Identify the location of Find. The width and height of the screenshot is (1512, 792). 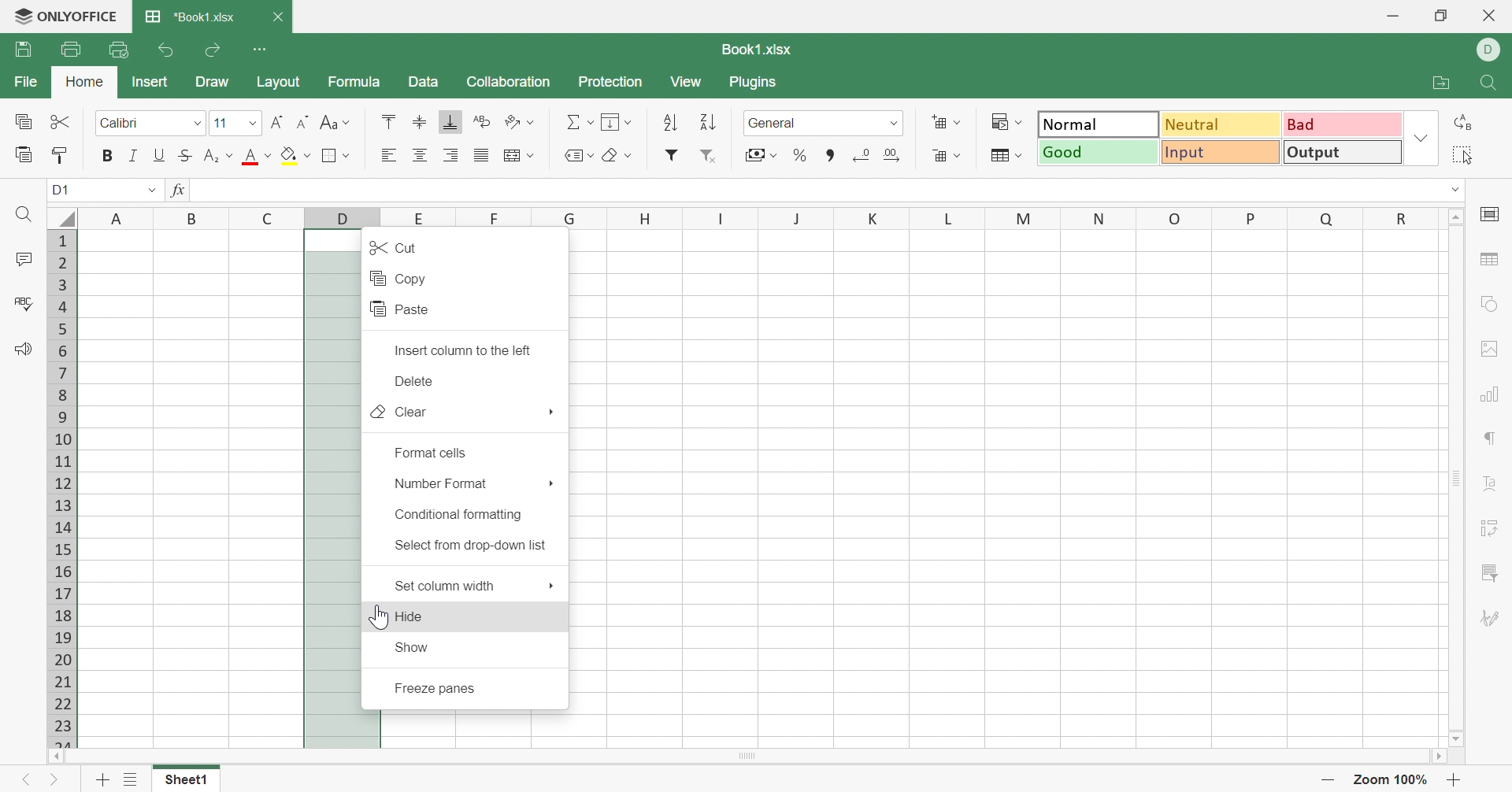
(22, 216).